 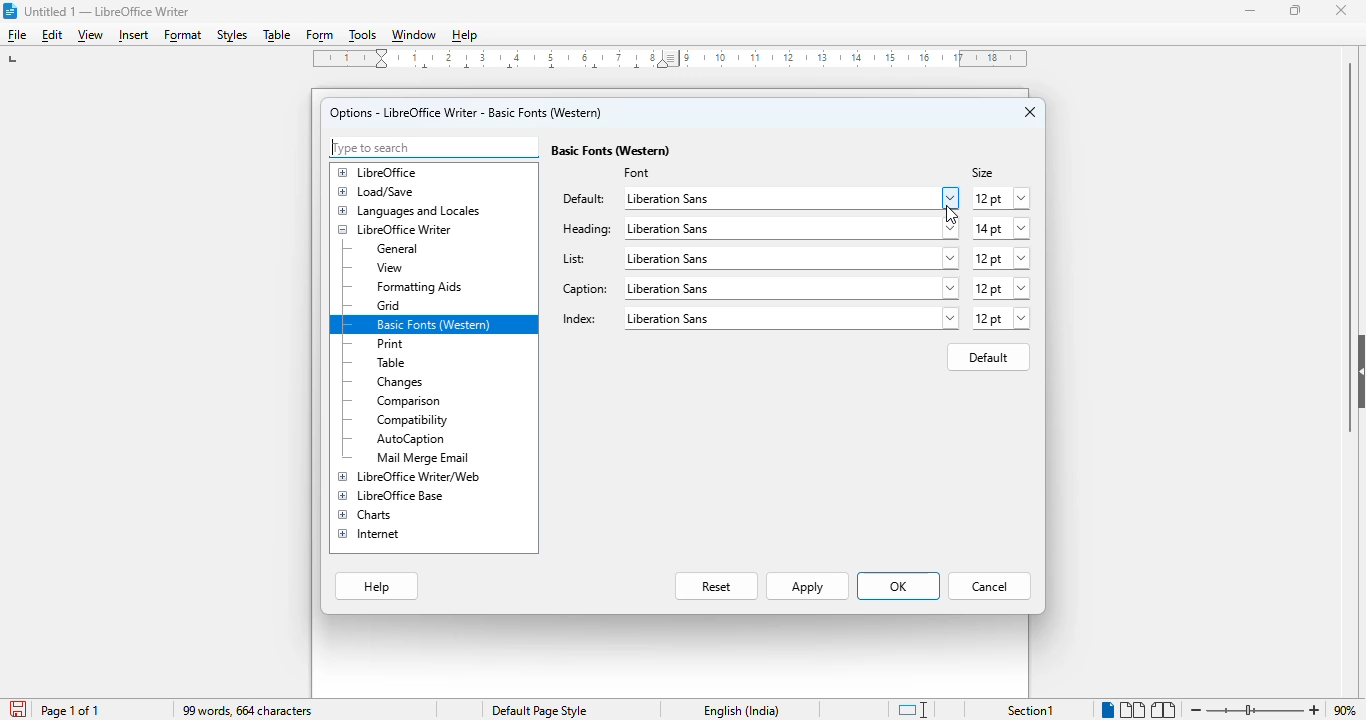 I want to click on liberation sans, so click(x=791, y=258).